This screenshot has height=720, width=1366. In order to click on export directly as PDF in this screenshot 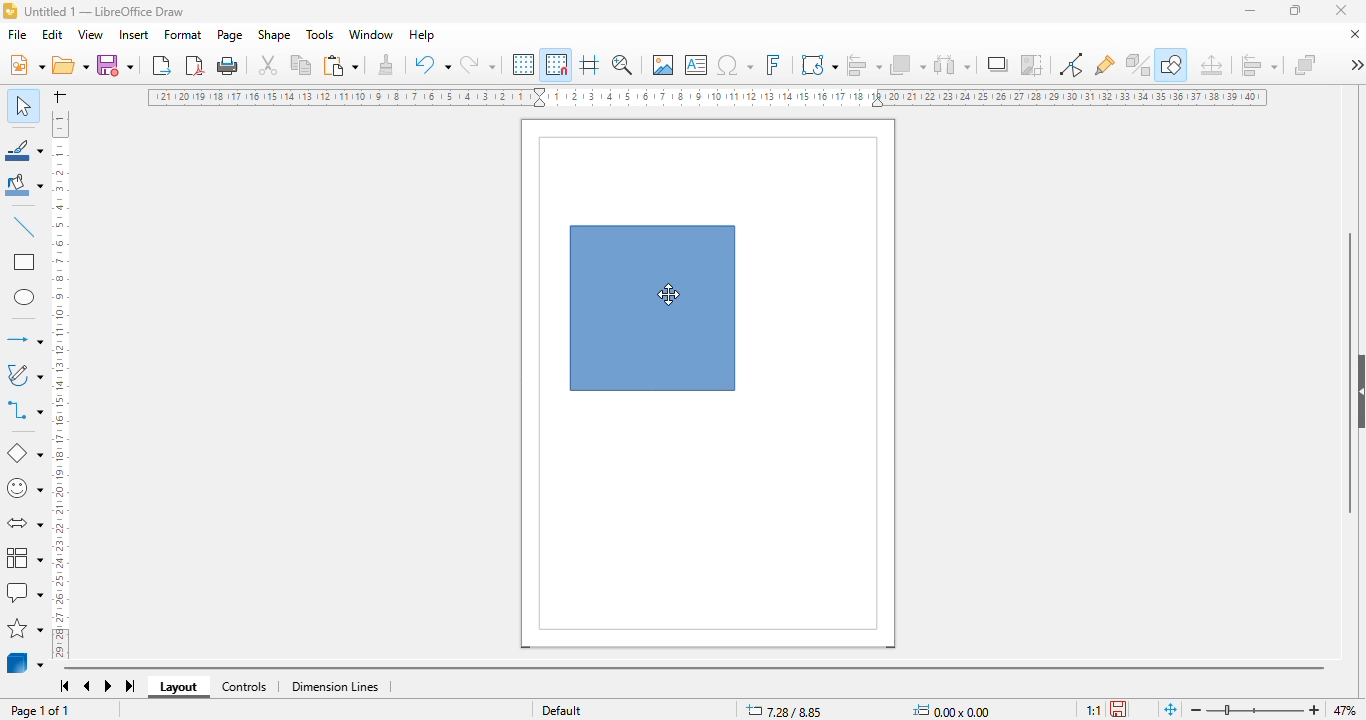, I will do `click(196, 65)`.